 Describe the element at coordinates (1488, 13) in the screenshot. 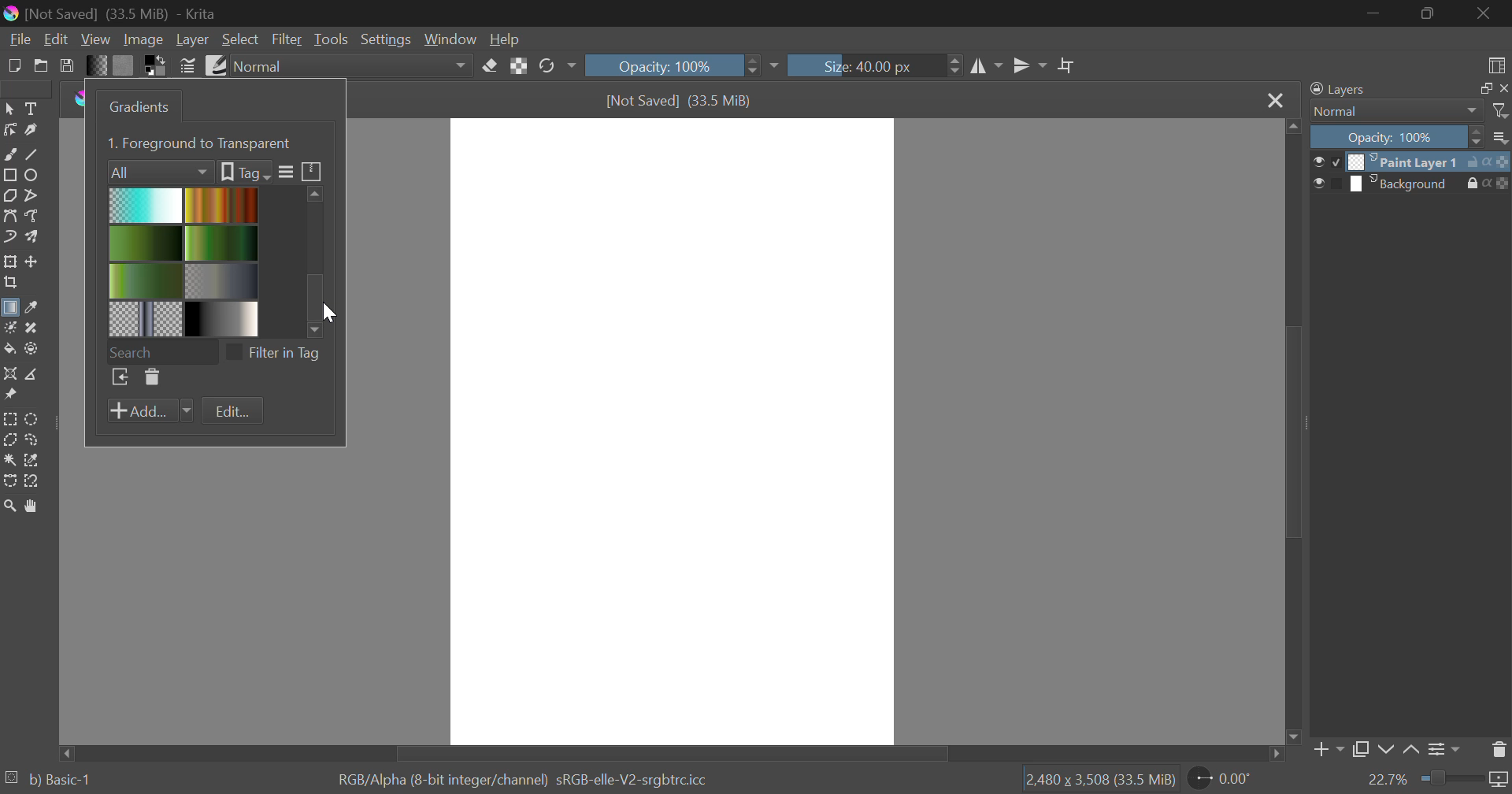

I see `Close` at that location.